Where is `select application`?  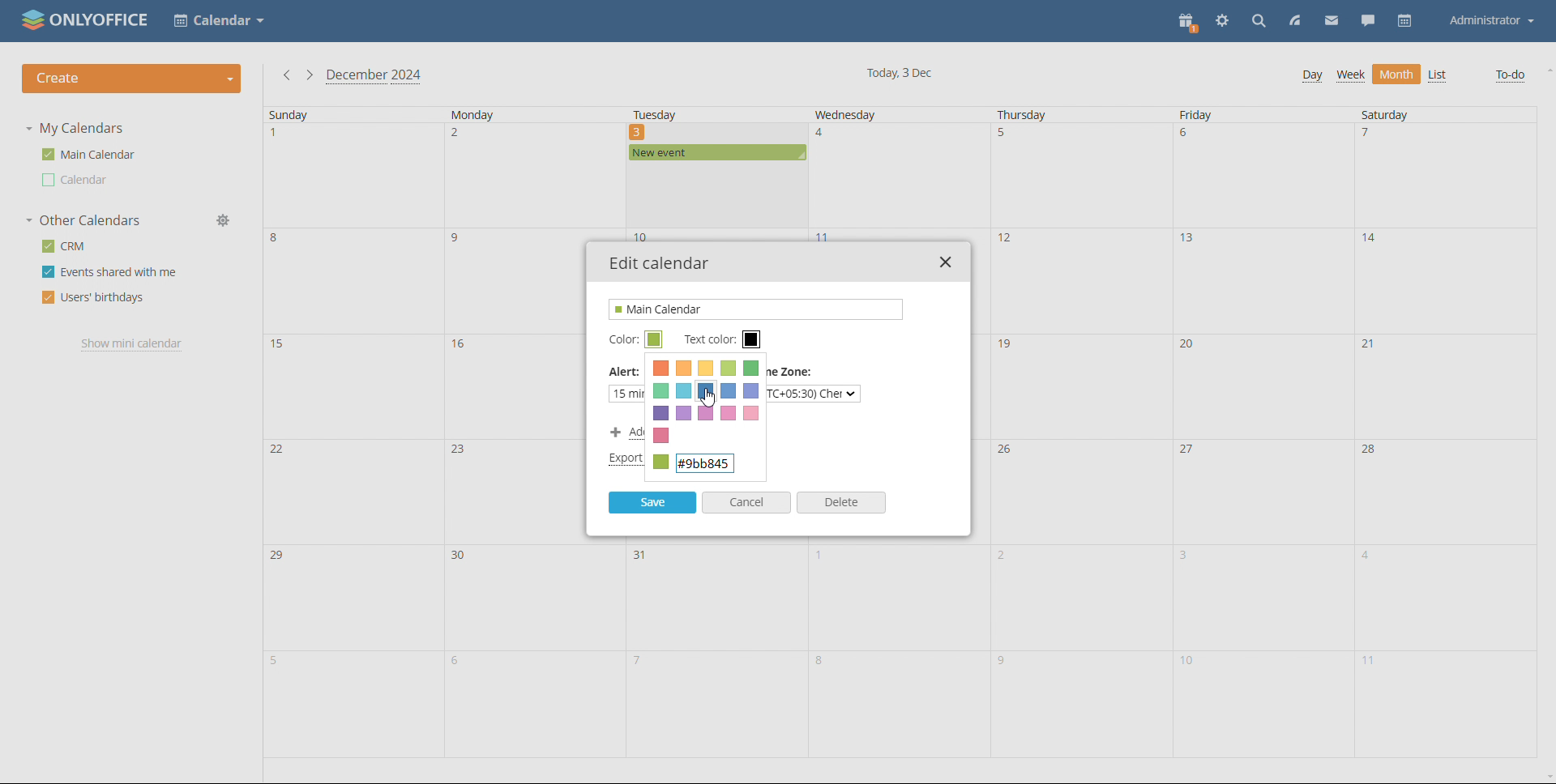
select application is located at coordinates (220, 21).